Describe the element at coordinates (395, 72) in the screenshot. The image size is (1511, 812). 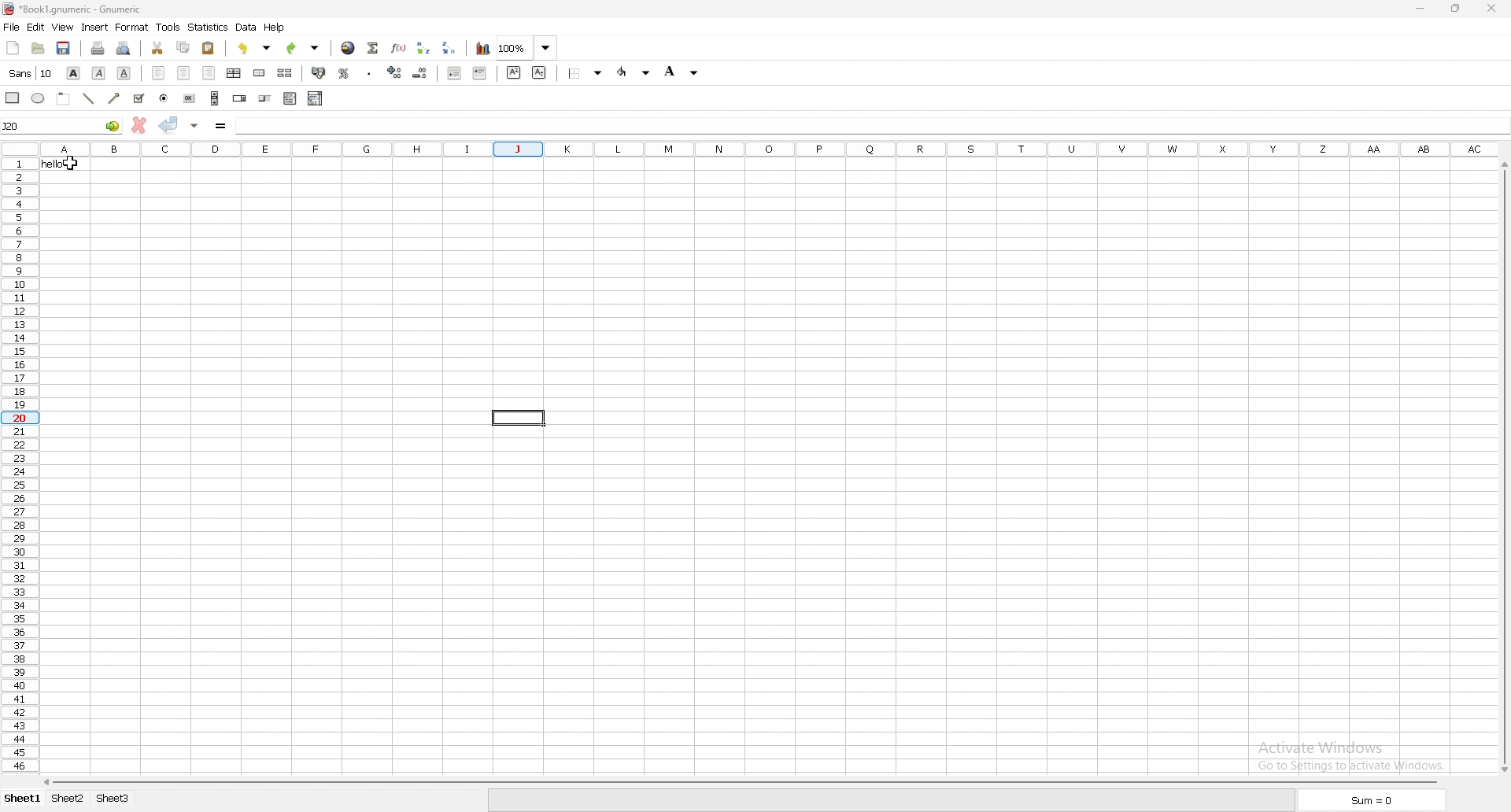
I see `increase decimal` at that location.